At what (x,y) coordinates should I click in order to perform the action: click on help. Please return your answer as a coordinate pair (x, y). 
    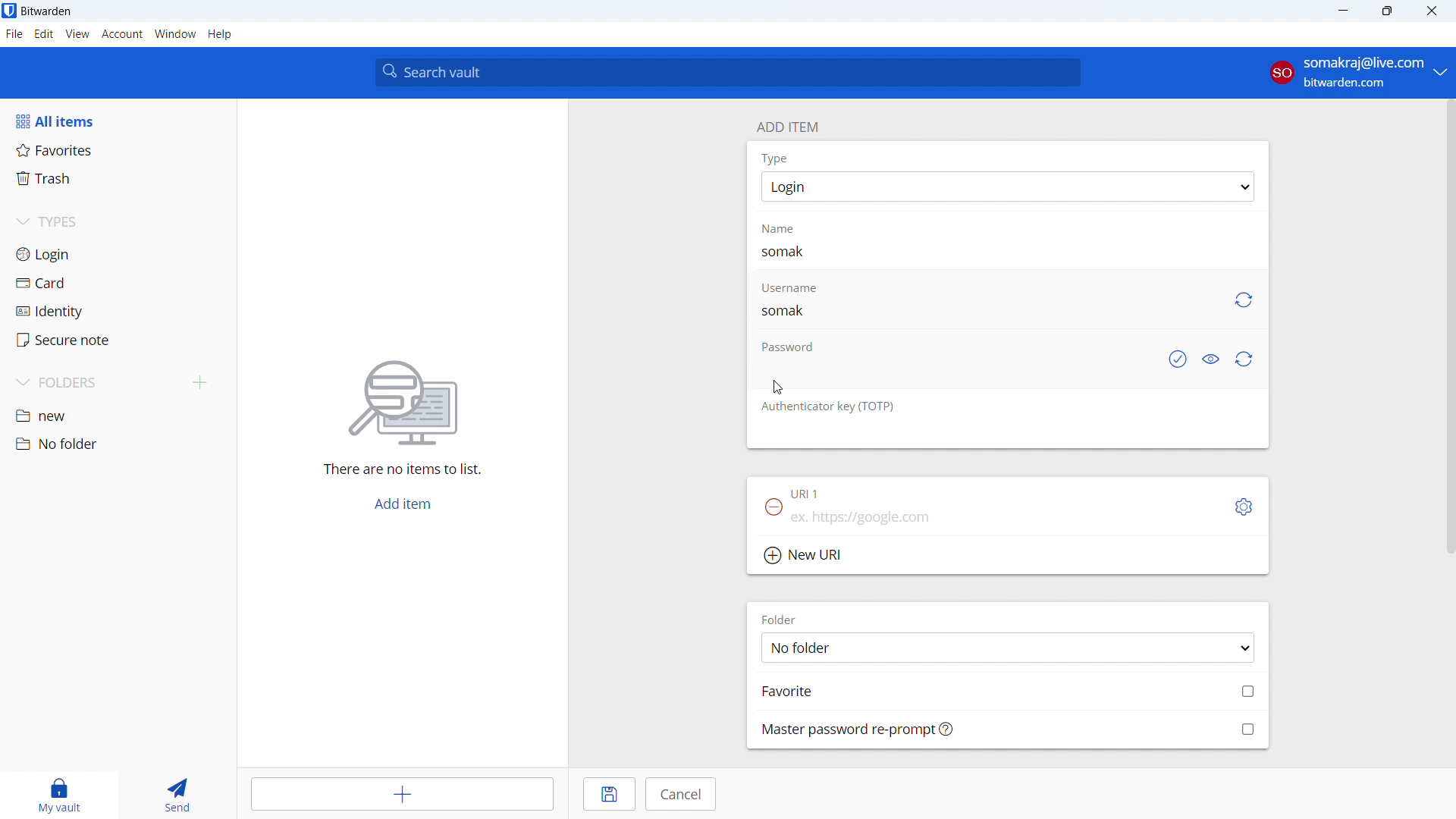
    Looking at the image, I should click on (220, 34).